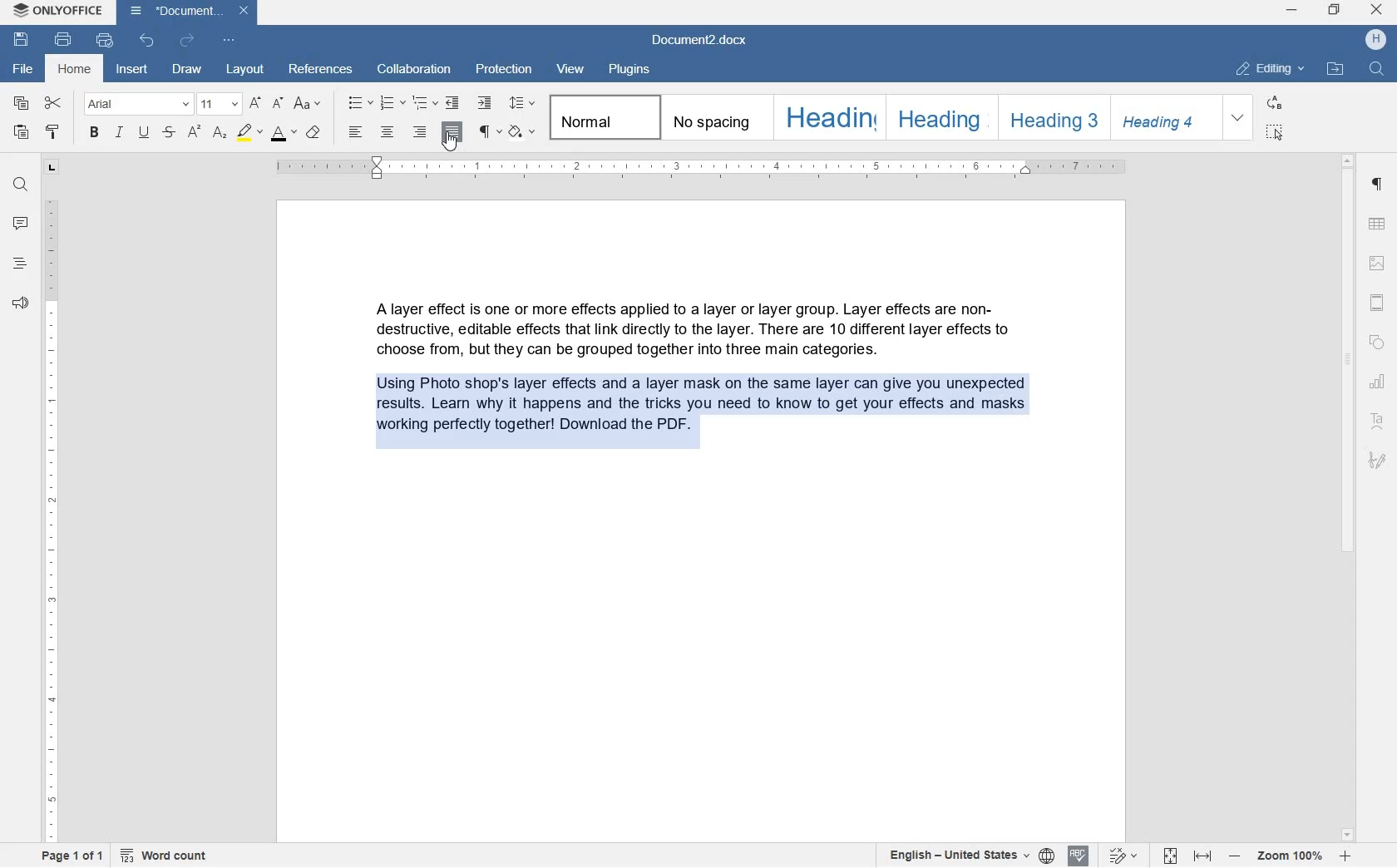  I want to click on FIT TO PAGE OR WIDTH, so click(1187, 856).